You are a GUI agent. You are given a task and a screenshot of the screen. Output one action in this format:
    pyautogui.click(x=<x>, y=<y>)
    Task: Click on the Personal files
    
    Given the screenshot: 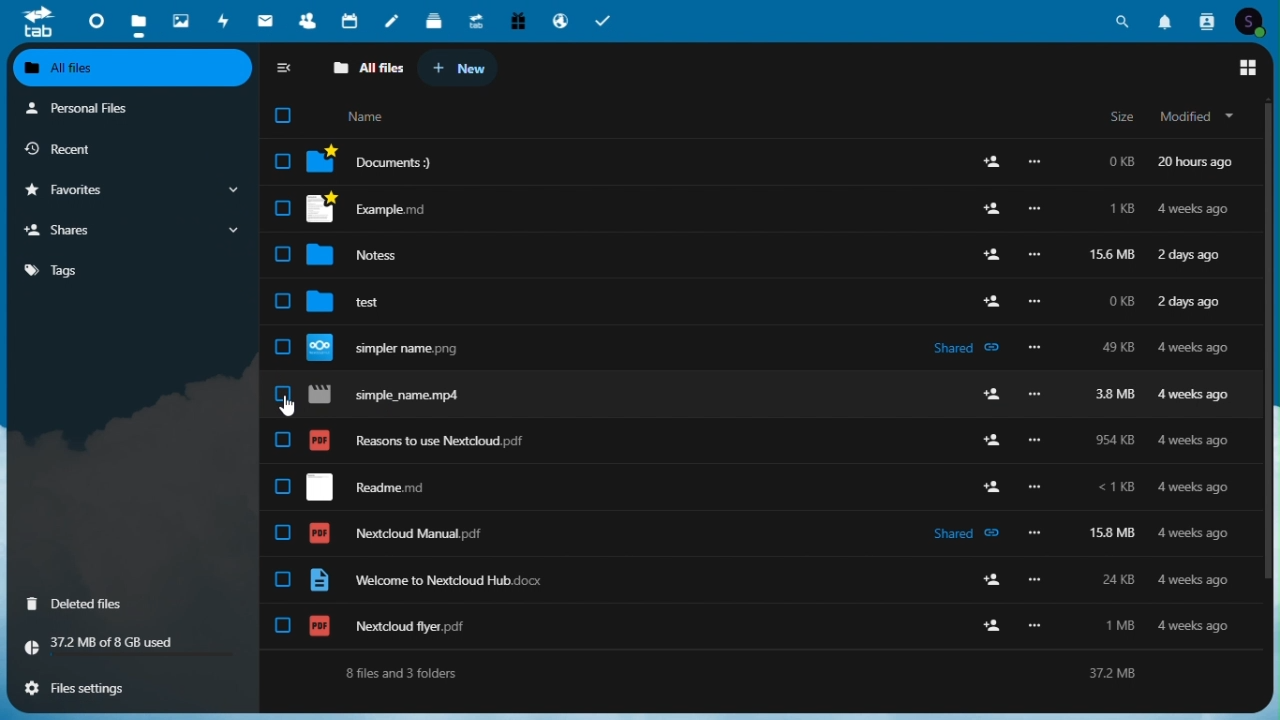 What is the action you would take?
    pyautogui.click(x=127, y=108)
    